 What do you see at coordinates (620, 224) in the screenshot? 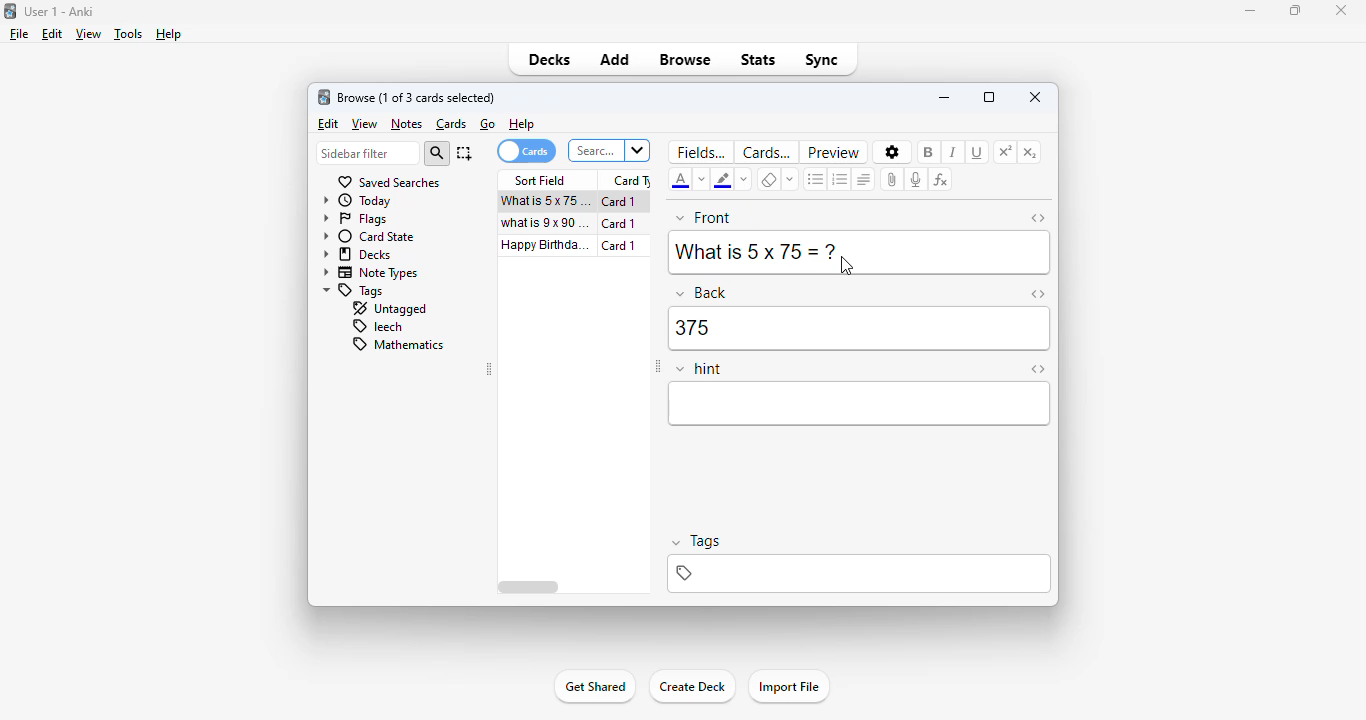
I see `card 1` at bounding box center [620, 224].